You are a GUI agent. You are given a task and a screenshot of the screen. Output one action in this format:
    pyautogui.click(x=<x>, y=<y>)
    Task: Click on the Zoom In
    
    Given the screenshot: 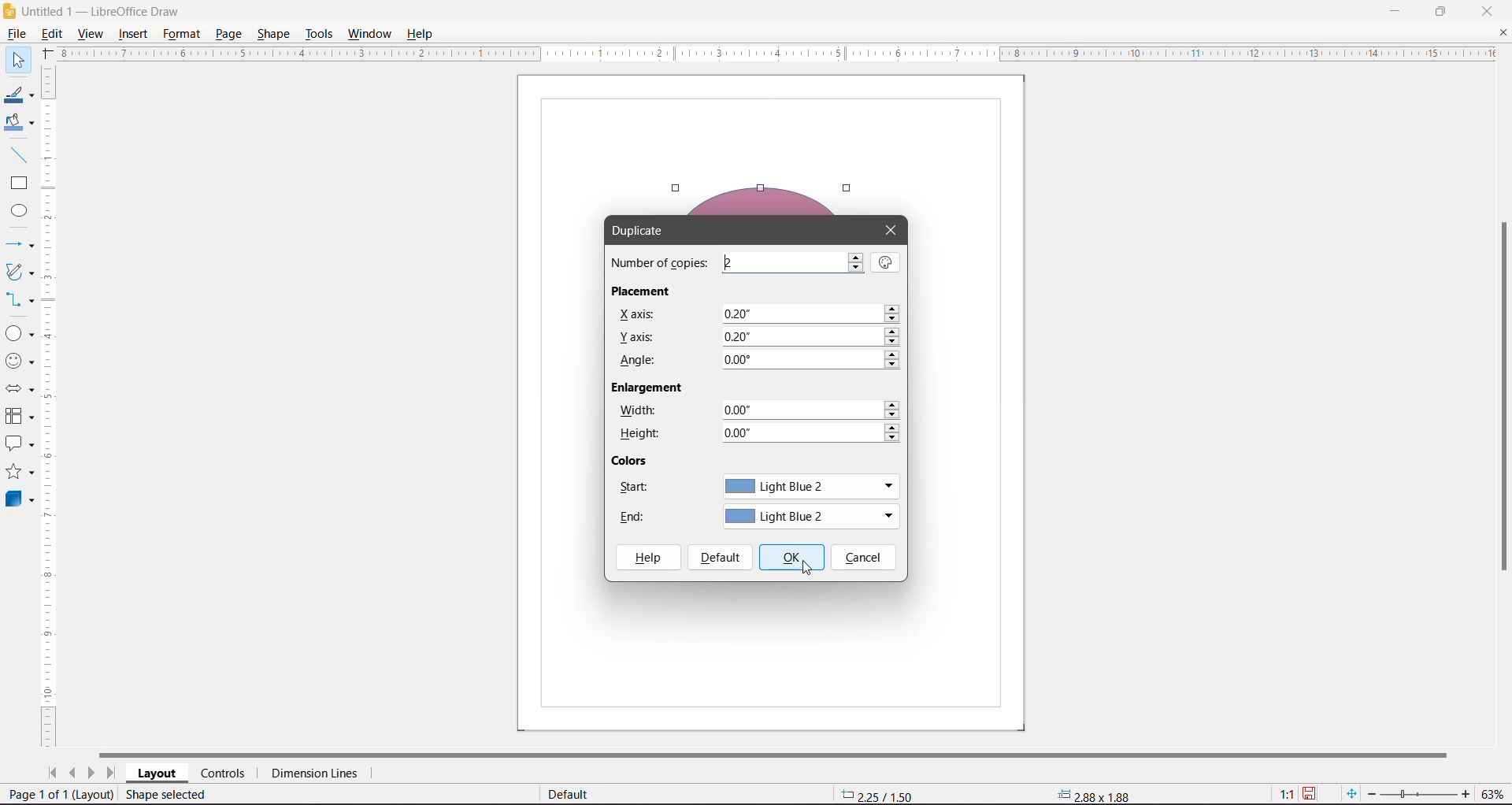 What is the action you would take?
    pyautogui.click(x=1463, y=794)
    